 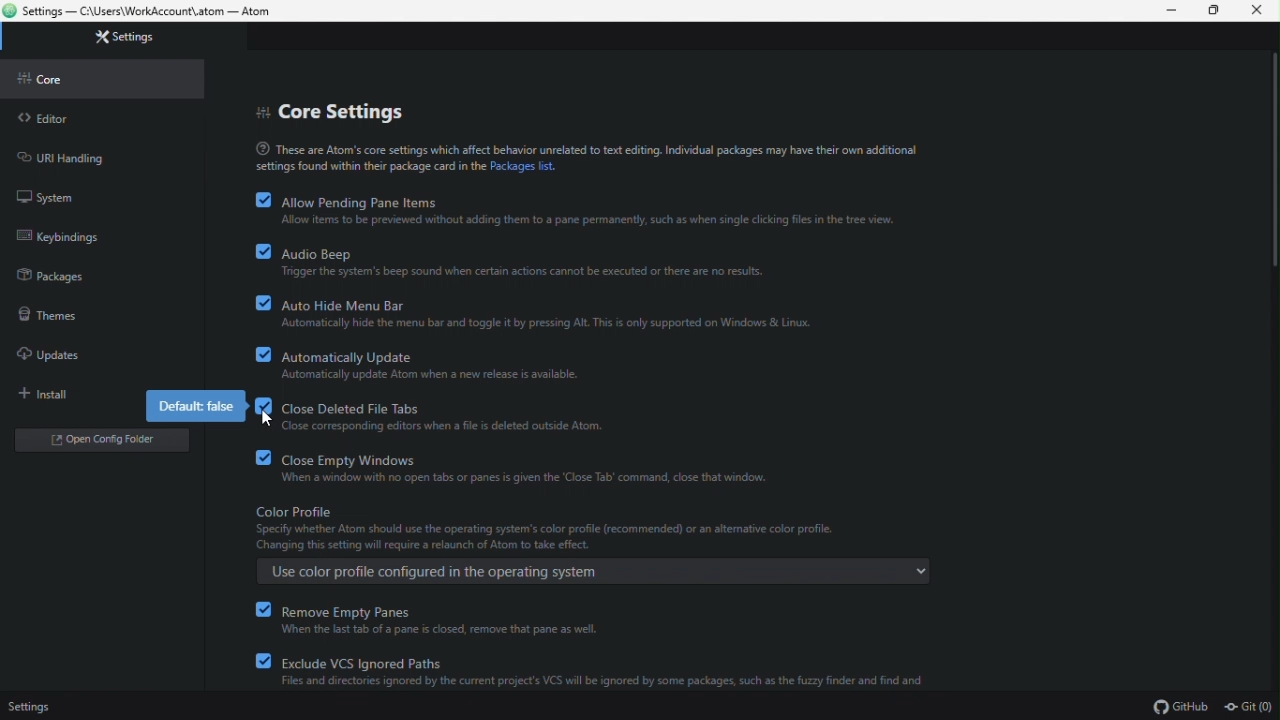 What do you see at coordinates (587, 155) in the screenshot?
I see `text` at bounding box center [587, 155].